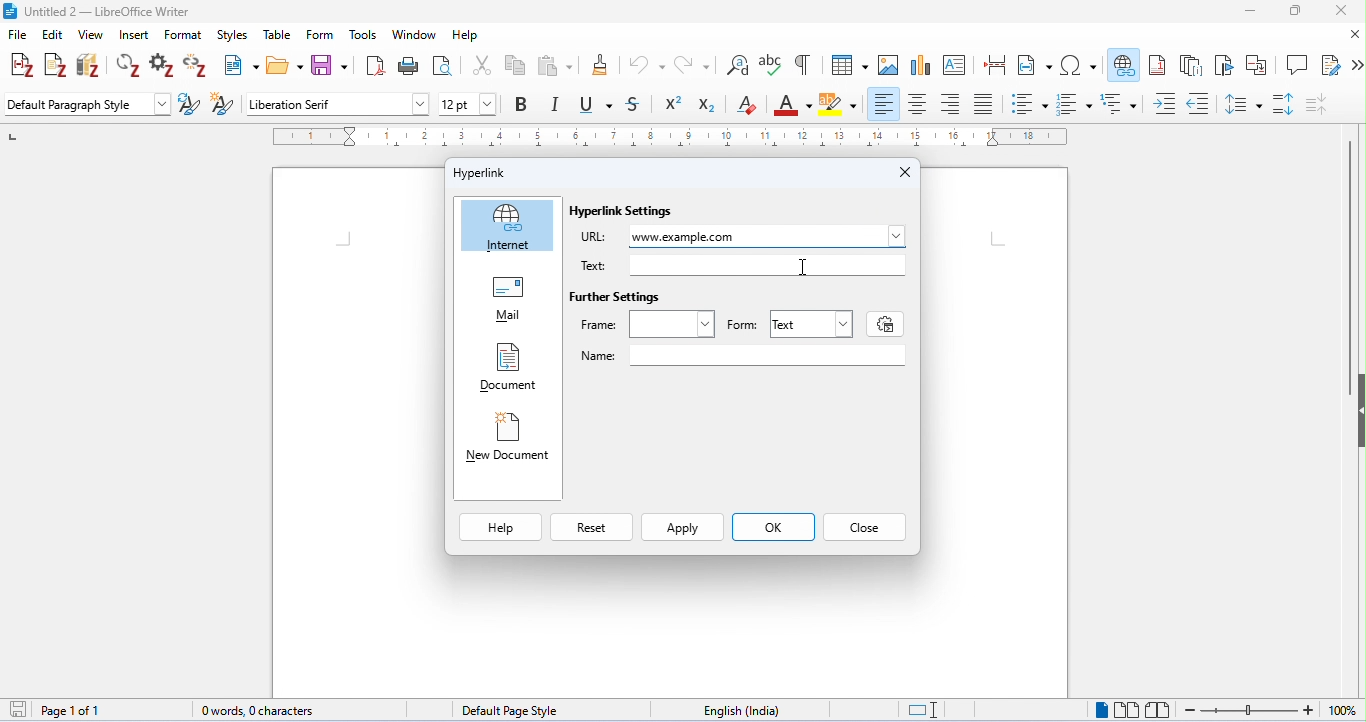 This screenshot has width=1366, height=722. What do you see at coordinates (596, 233) in the screenshot?
I see `URL:` at bounding box center [596, 233].